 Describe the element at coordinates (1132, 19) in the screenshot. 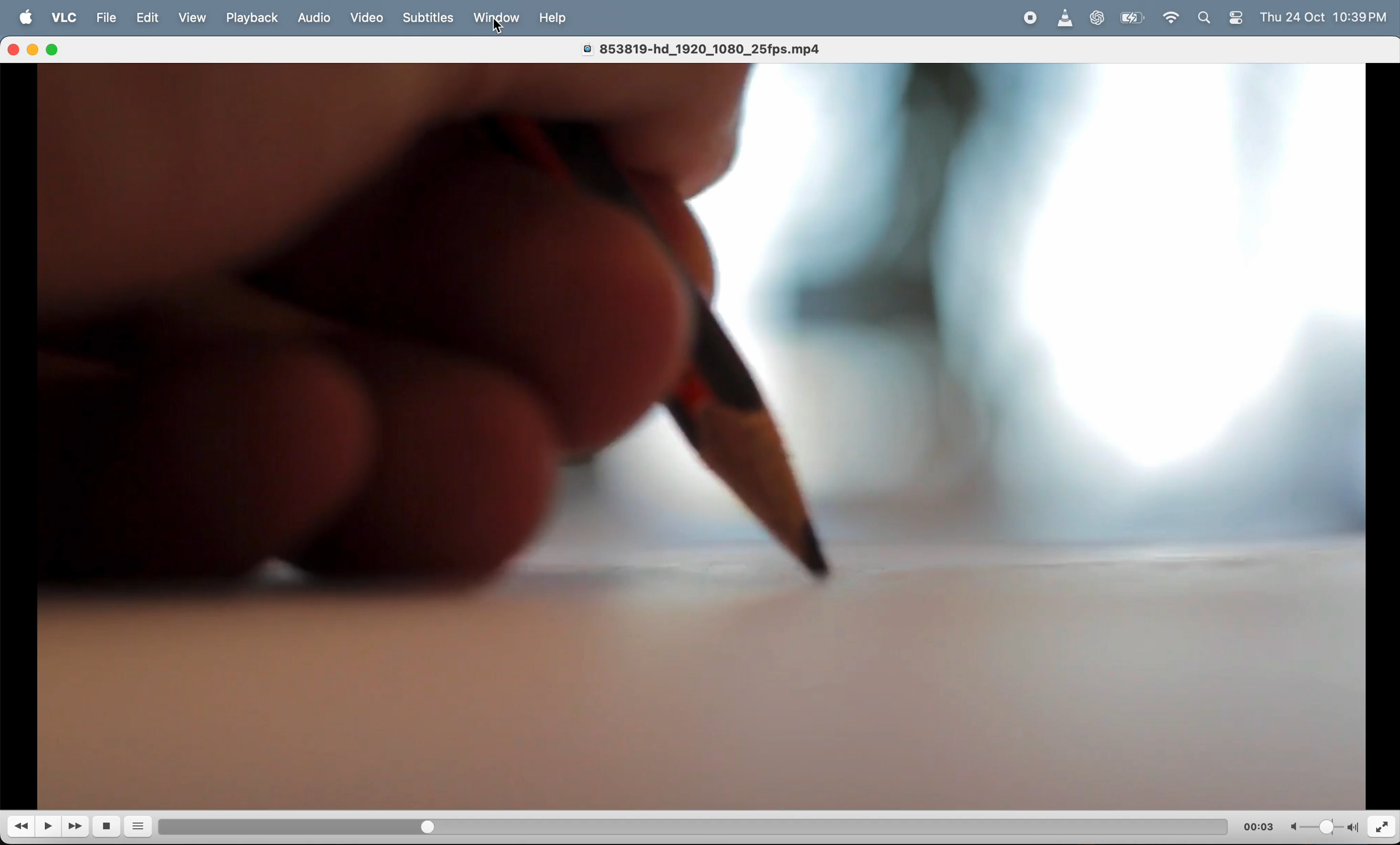

I see `battery` at that location.